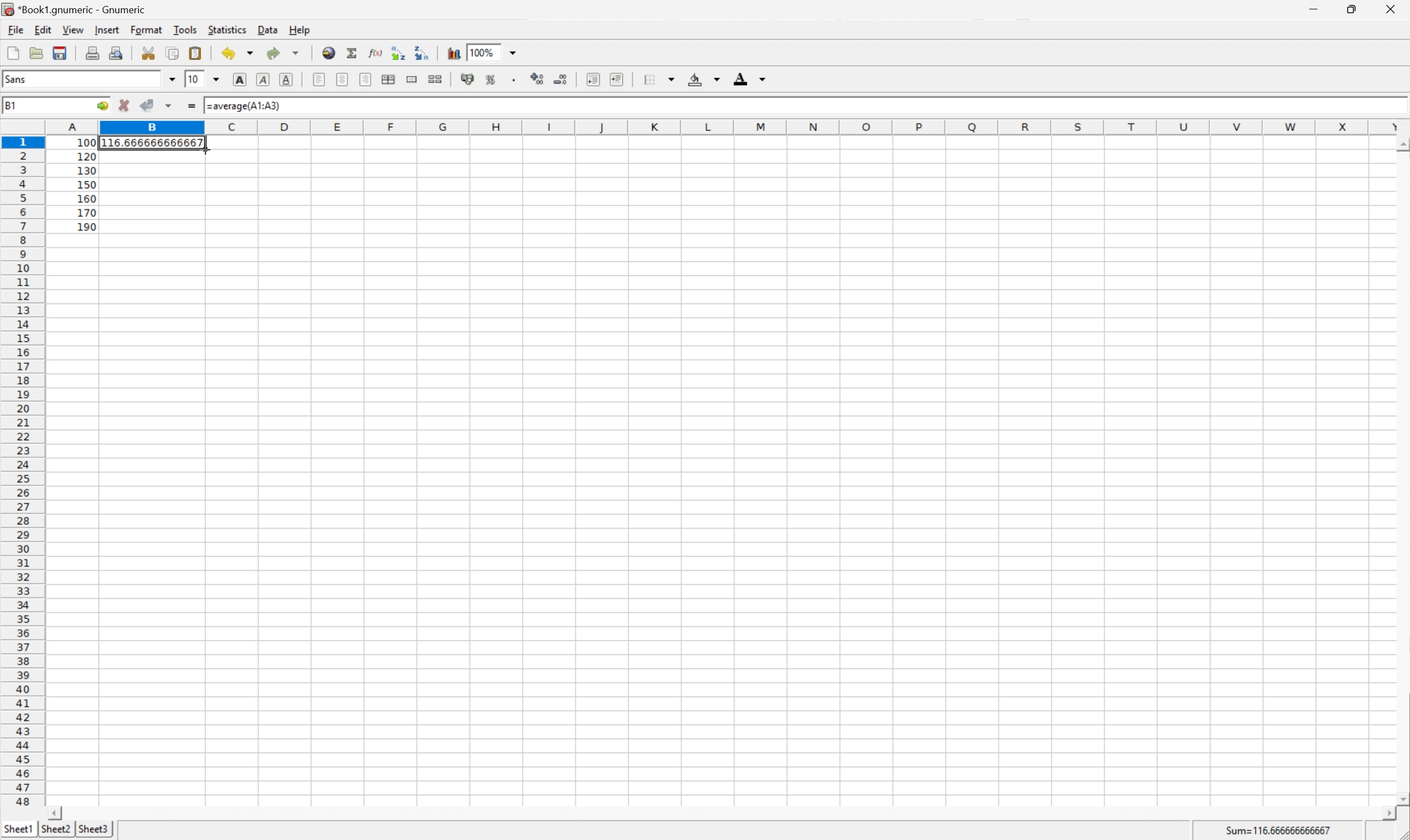 Image resolution: width=1410 pixels, height=840 pixels. What do you see at coordinates (58, 811) in the screenshot?
I see `Scroll Left` at bounding box center [58, 811].